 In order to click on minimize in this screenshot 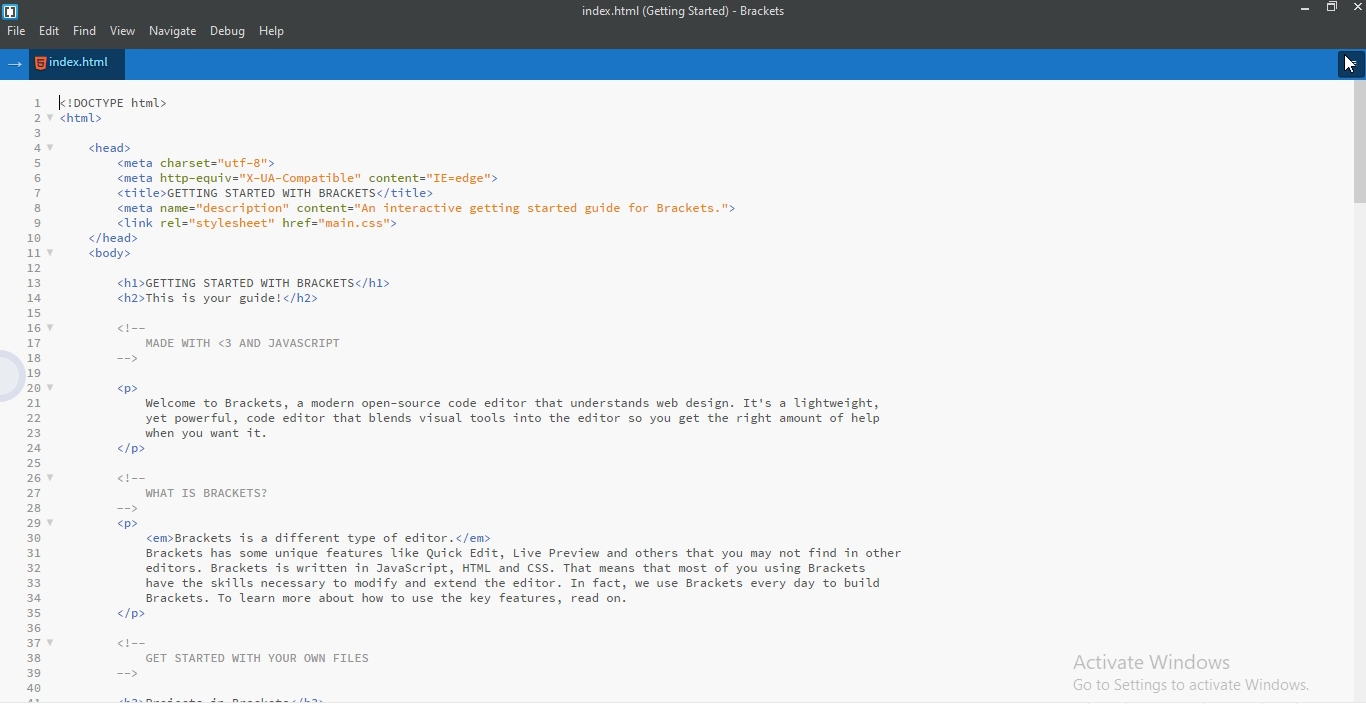, I will do `click(1306, 8)`.